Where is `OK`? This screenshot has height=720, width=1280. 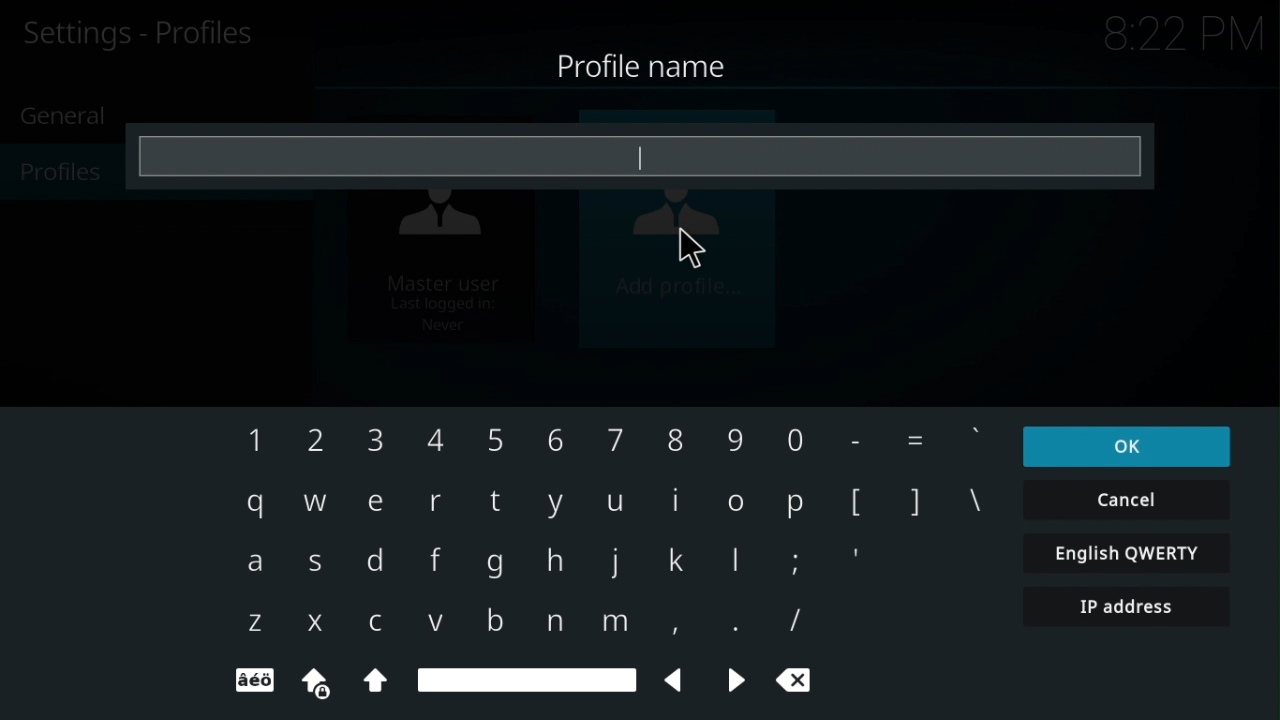
OK is located at coordinates (1128, 446).